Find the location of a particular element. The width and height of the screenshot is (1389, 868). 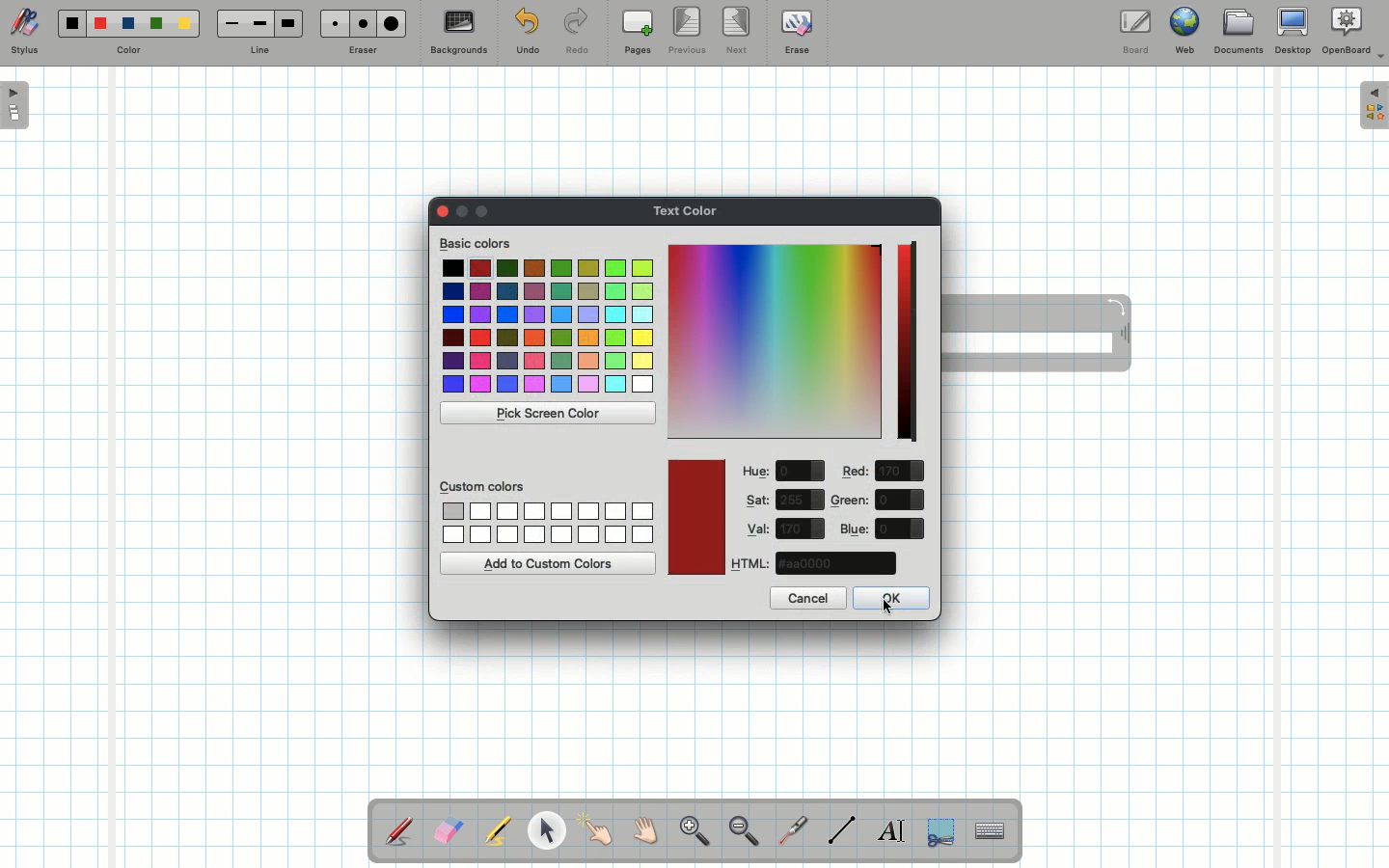

Green is located at coordinates (851, 501).